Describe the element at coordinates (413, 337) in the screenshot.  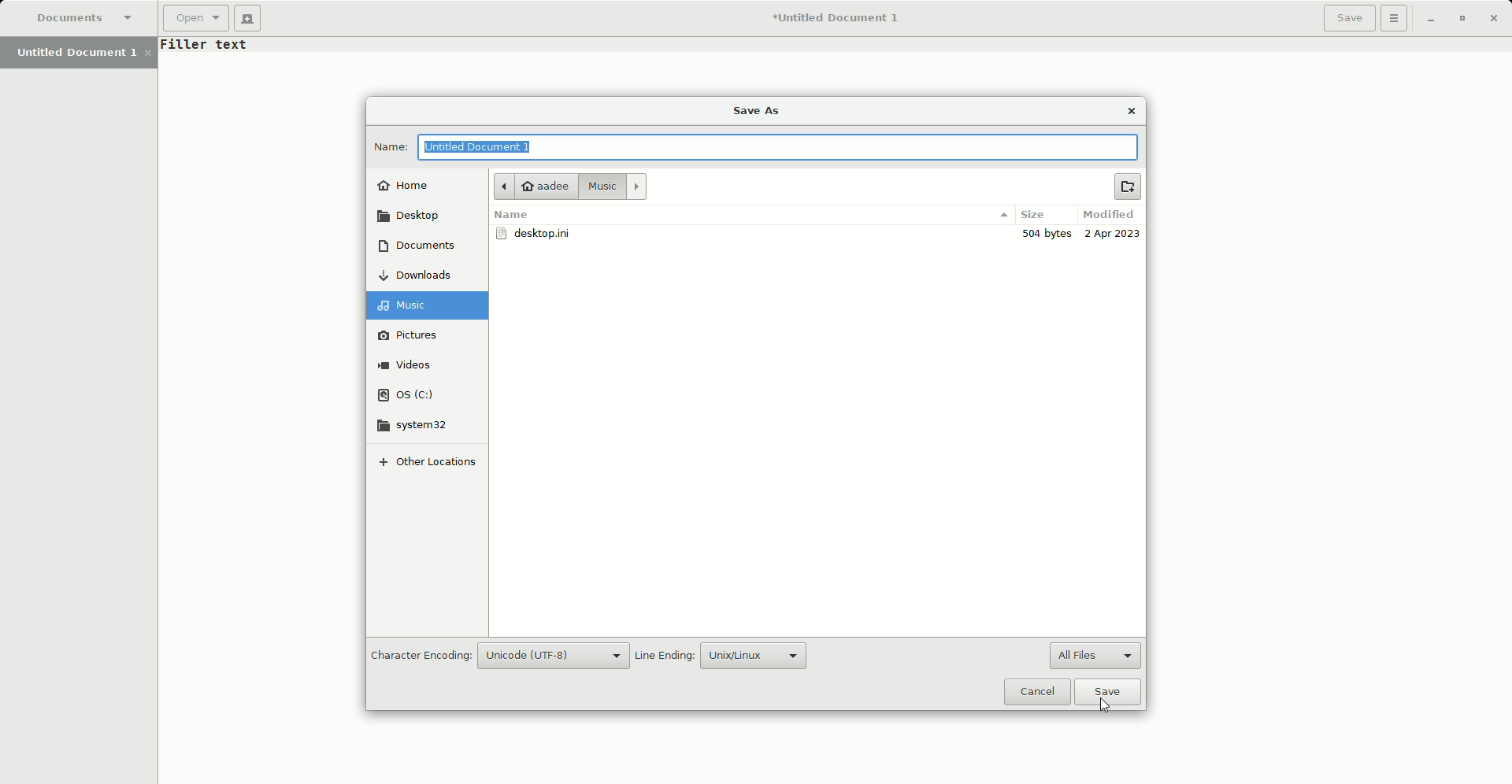
I see `Pictures` at that location.